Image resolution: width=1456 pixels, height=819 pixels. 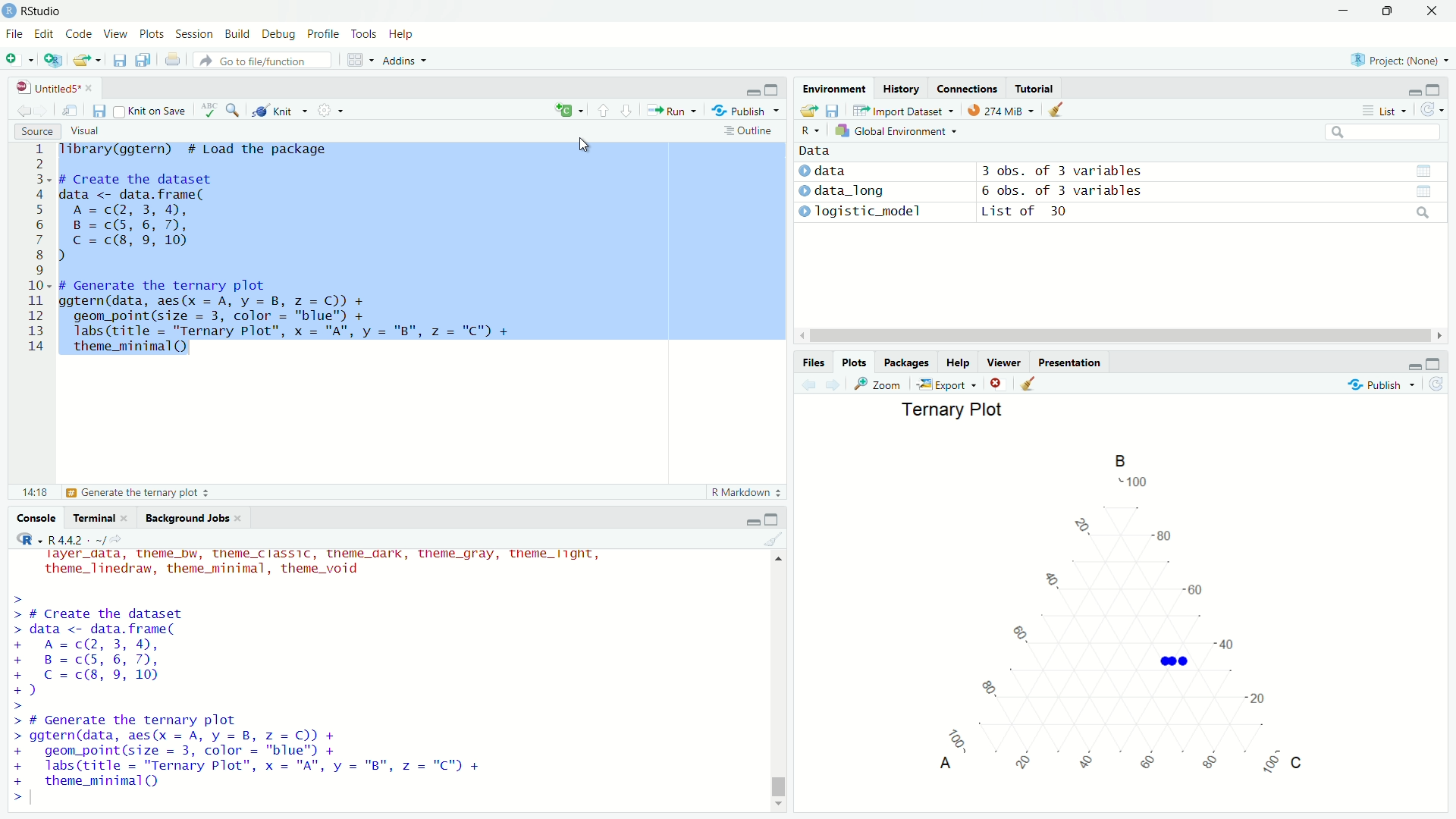 What do you see at coordinates (72, 111) in the screenshot?
I see `view` at bounding box center [72, 111].